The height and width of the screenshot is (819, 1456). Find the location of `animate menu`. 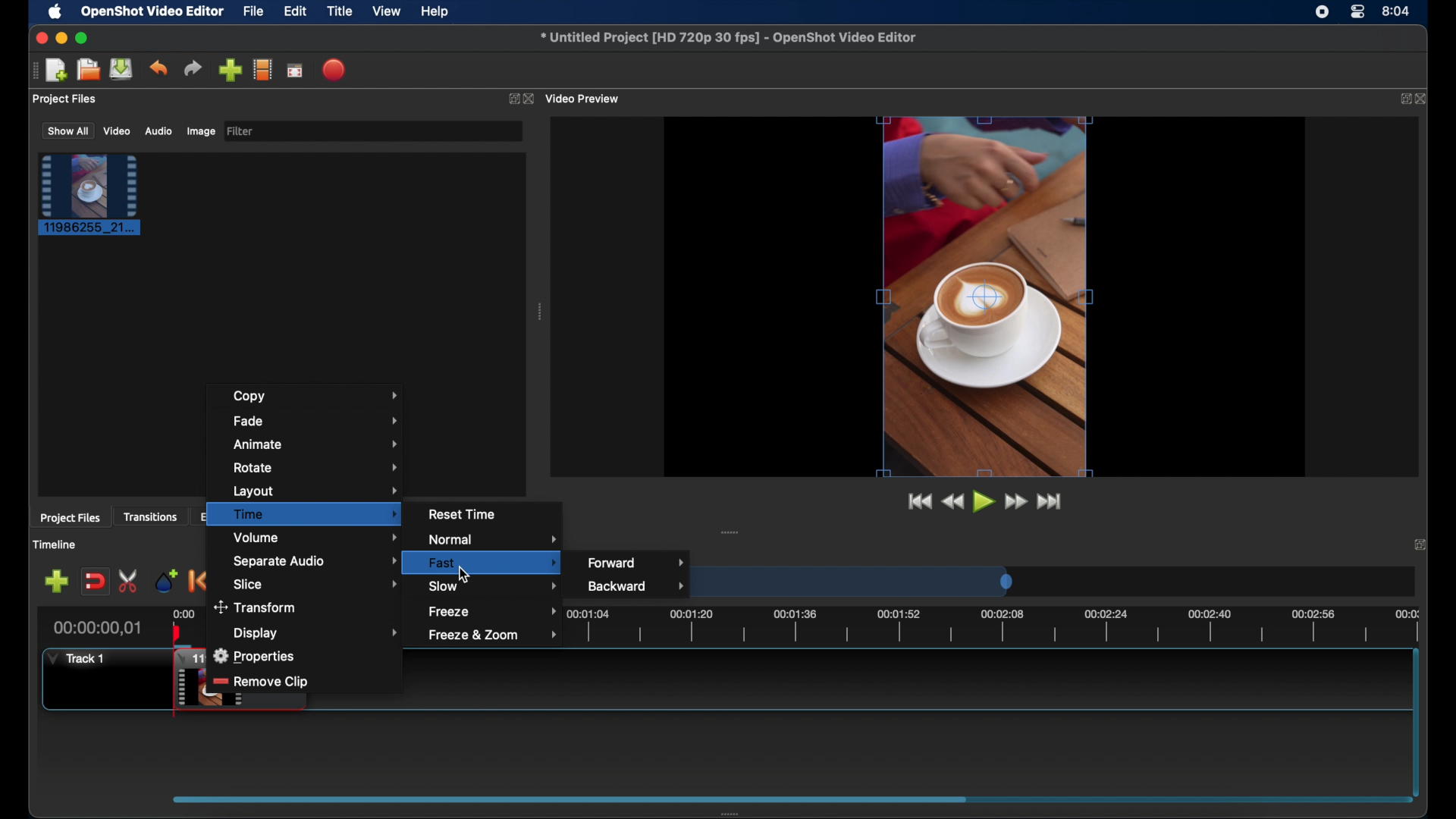

animate menu is located at coordinates (316, 444).